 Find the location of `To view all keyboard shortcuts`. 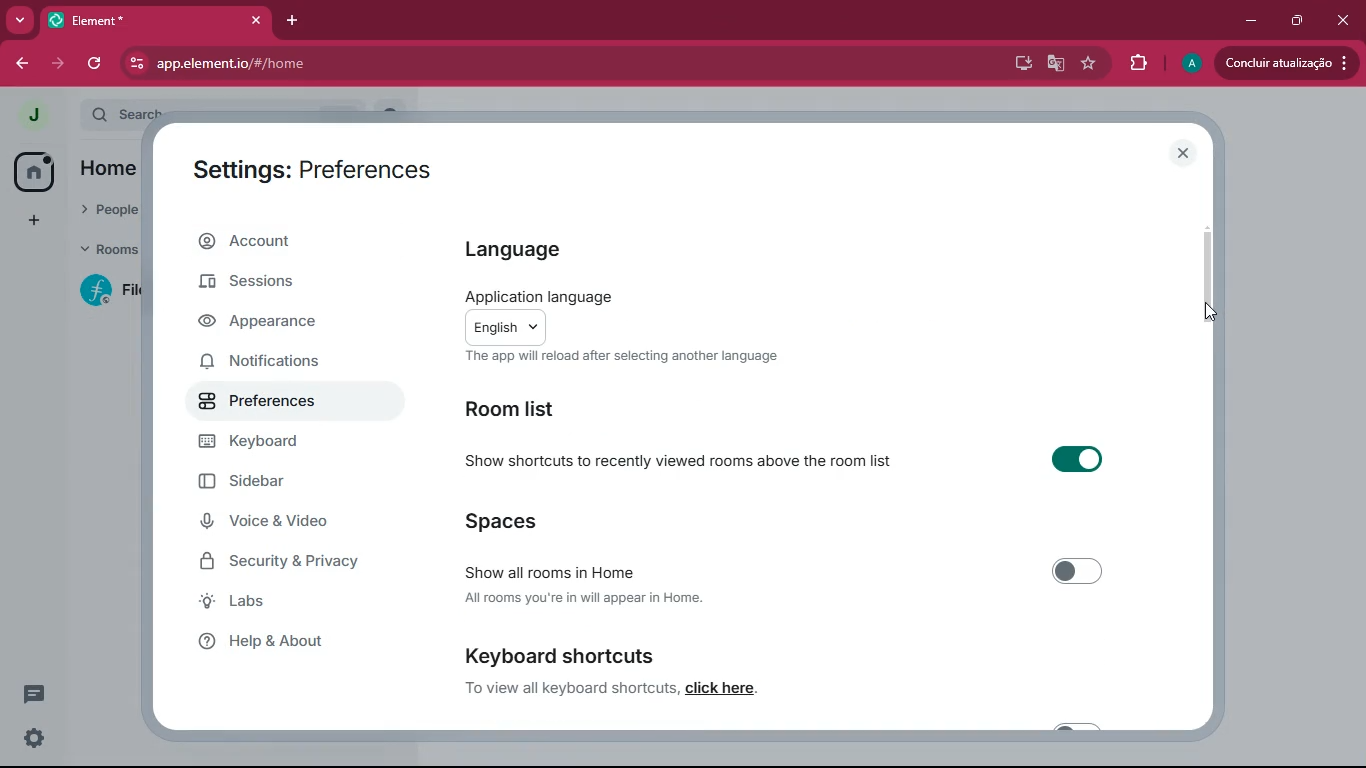

To view all keyboard shortcuts is located at coordinates (565, 687).